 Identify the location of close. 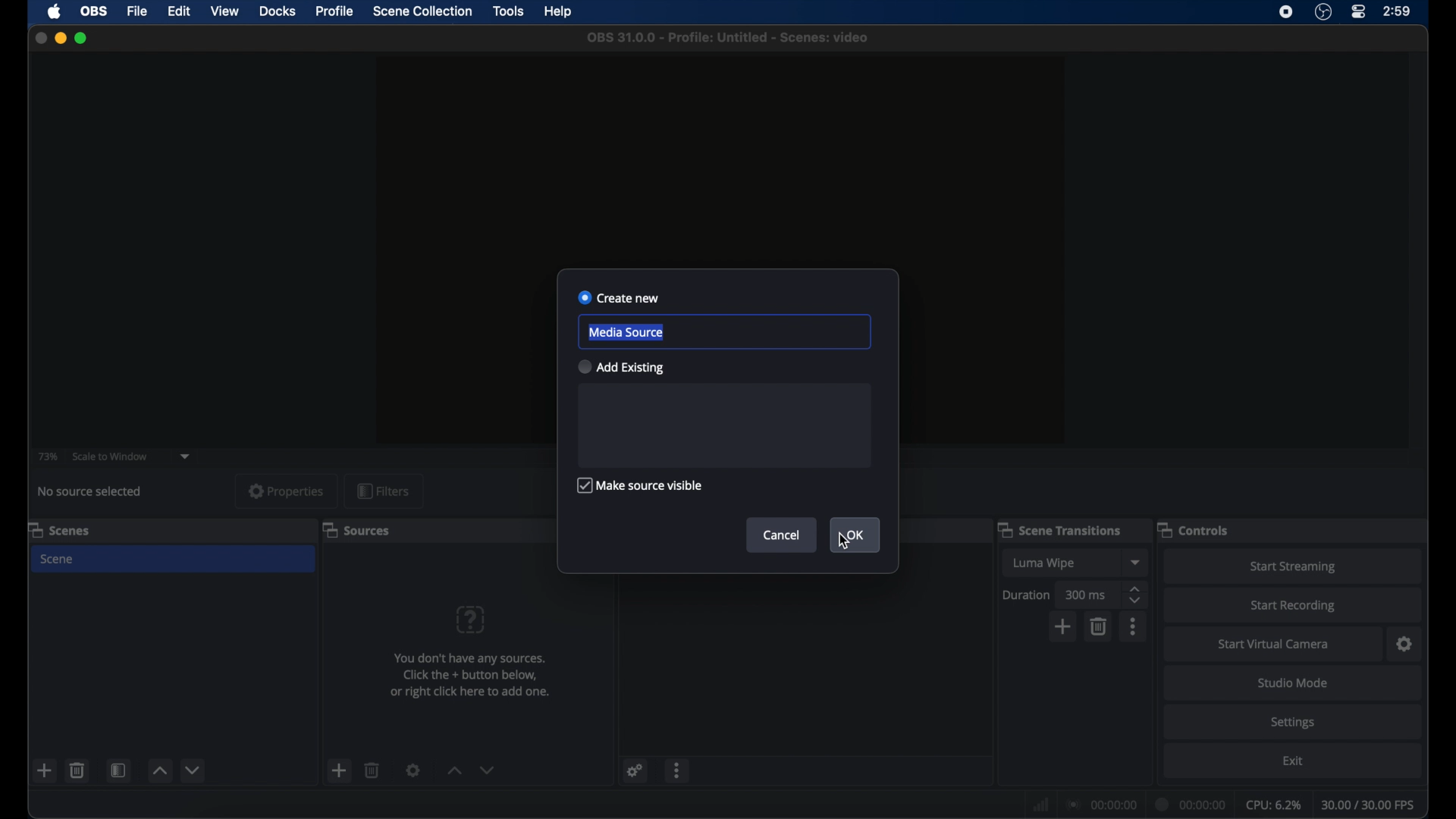
(40, 38).